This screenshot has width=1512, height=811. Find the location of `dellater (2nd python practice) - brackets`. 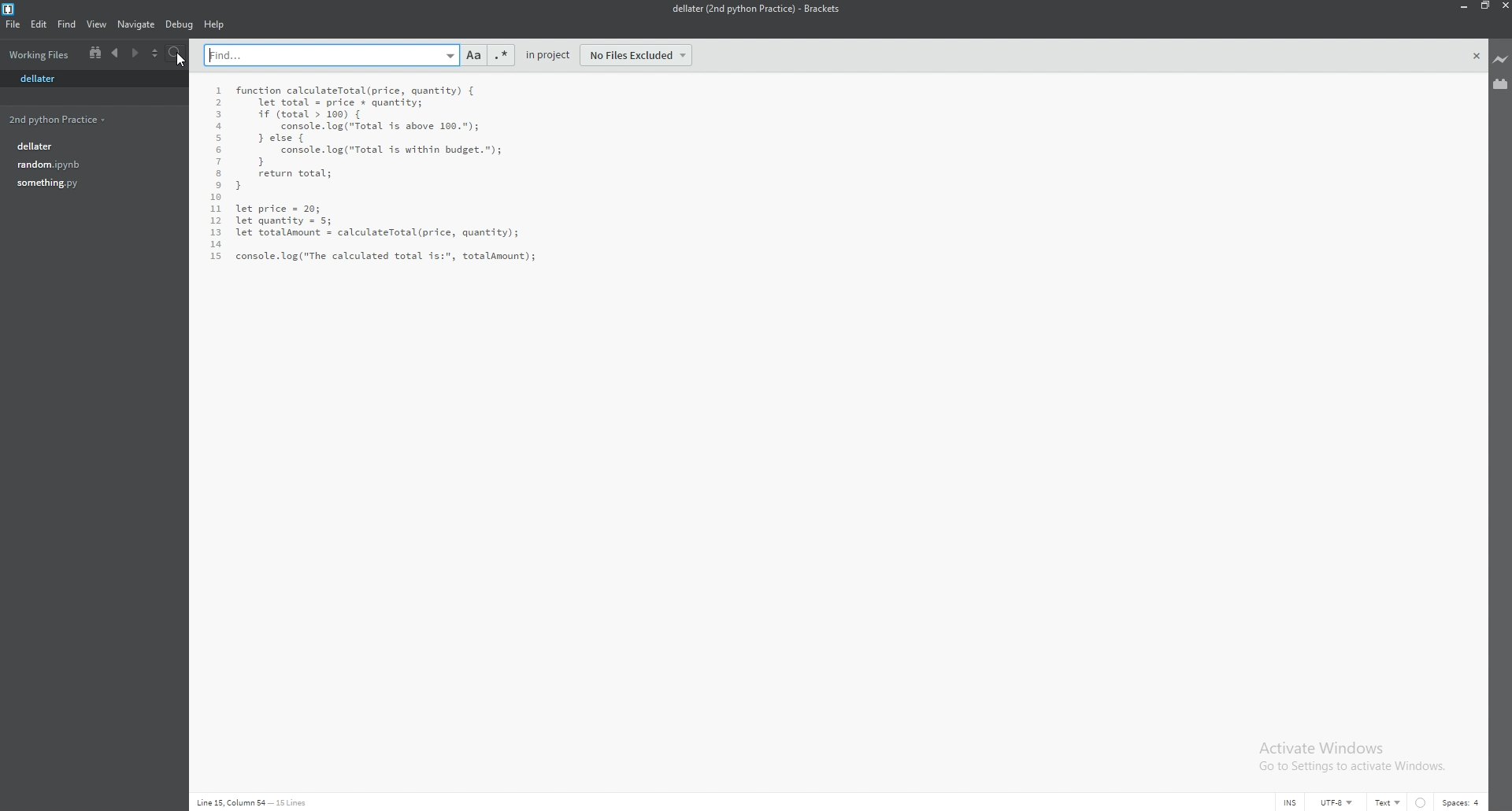

dellater (2nd python practice) - brackets is located at coordinates (754, 9).